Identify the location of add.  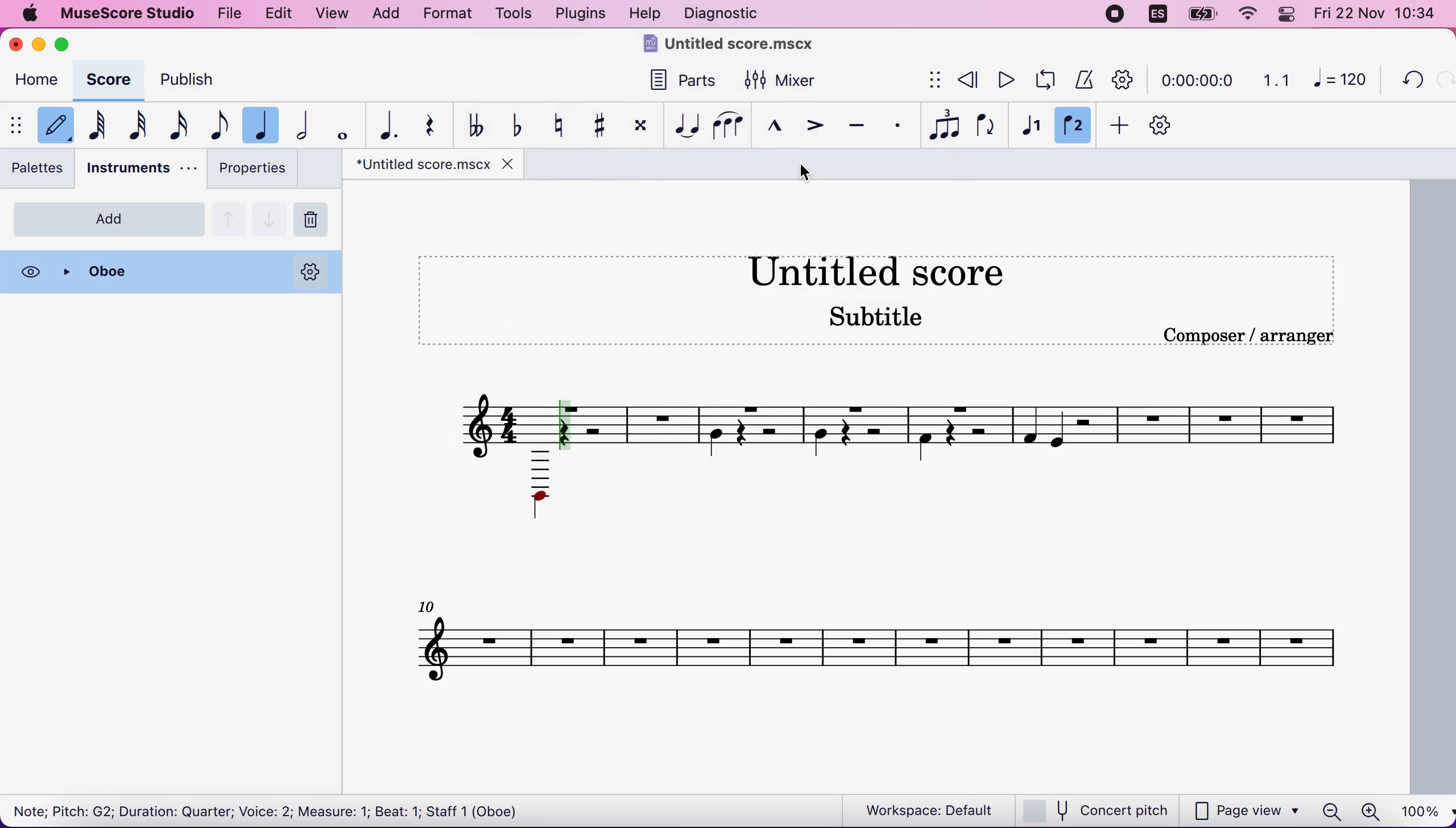
(390, 14).